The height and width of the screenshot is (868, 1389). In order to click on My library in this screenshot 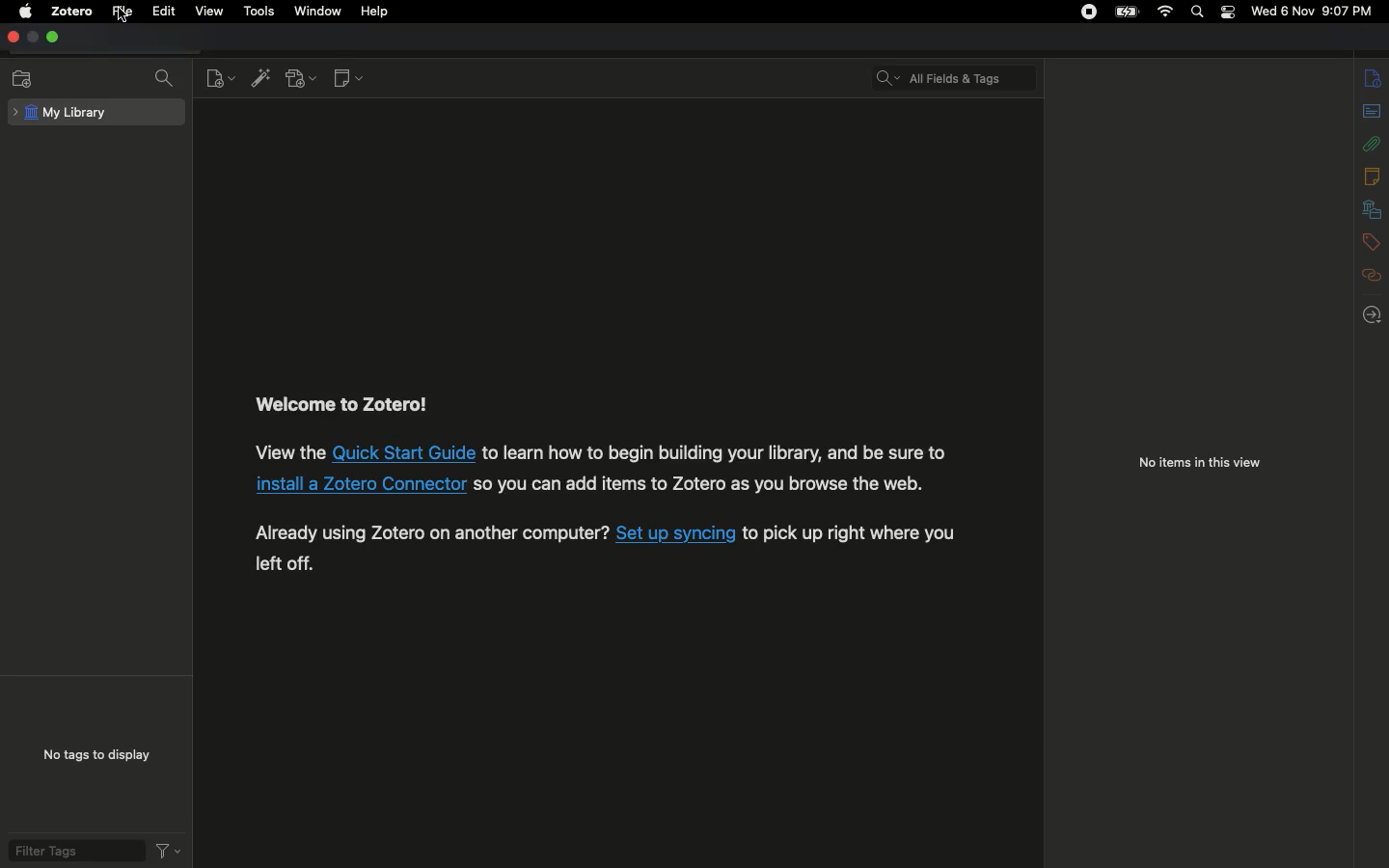, I will do `click(98, 112)`.